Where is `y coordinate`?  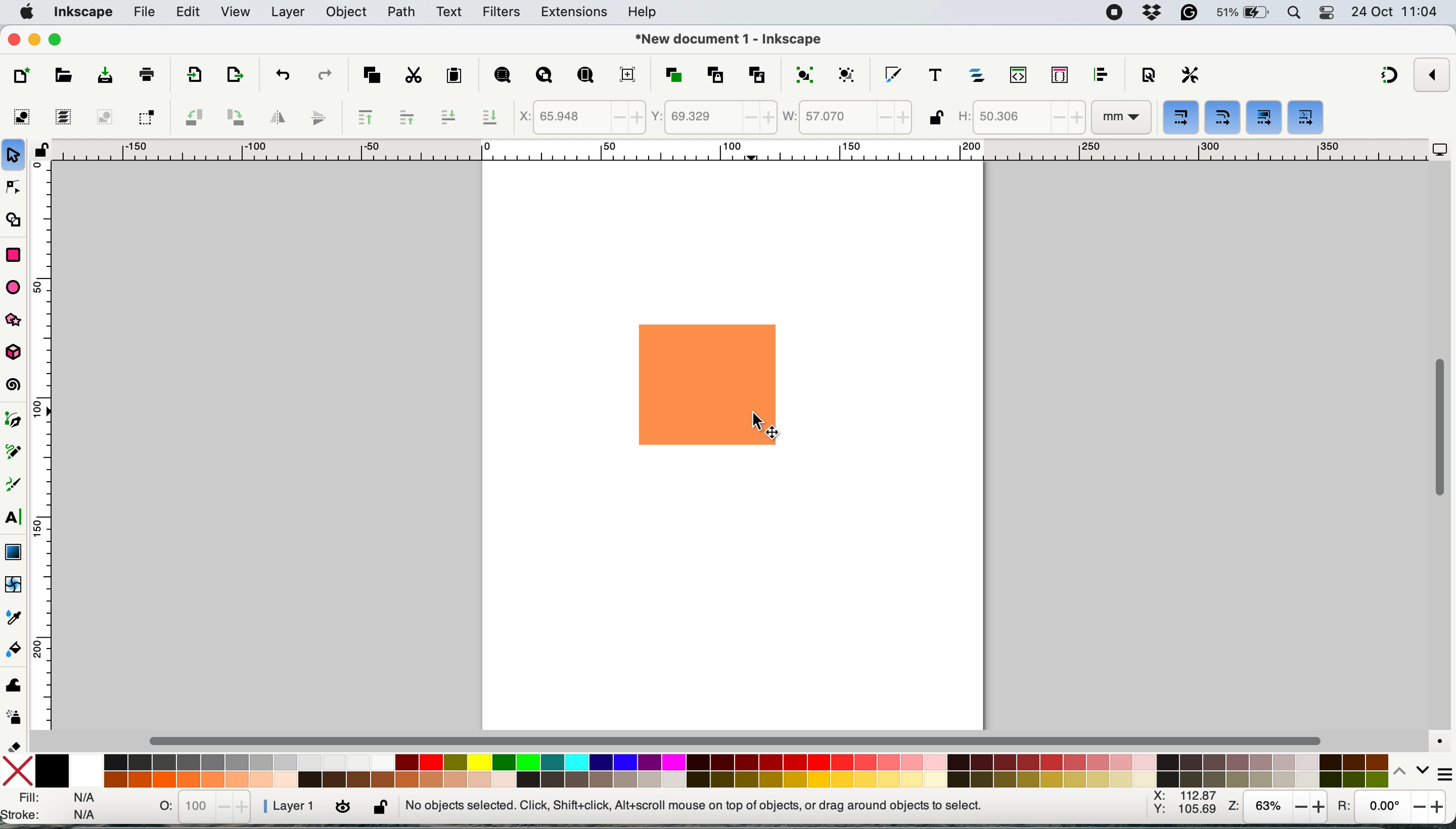 y coordinate is located at coordinates (712, 117).